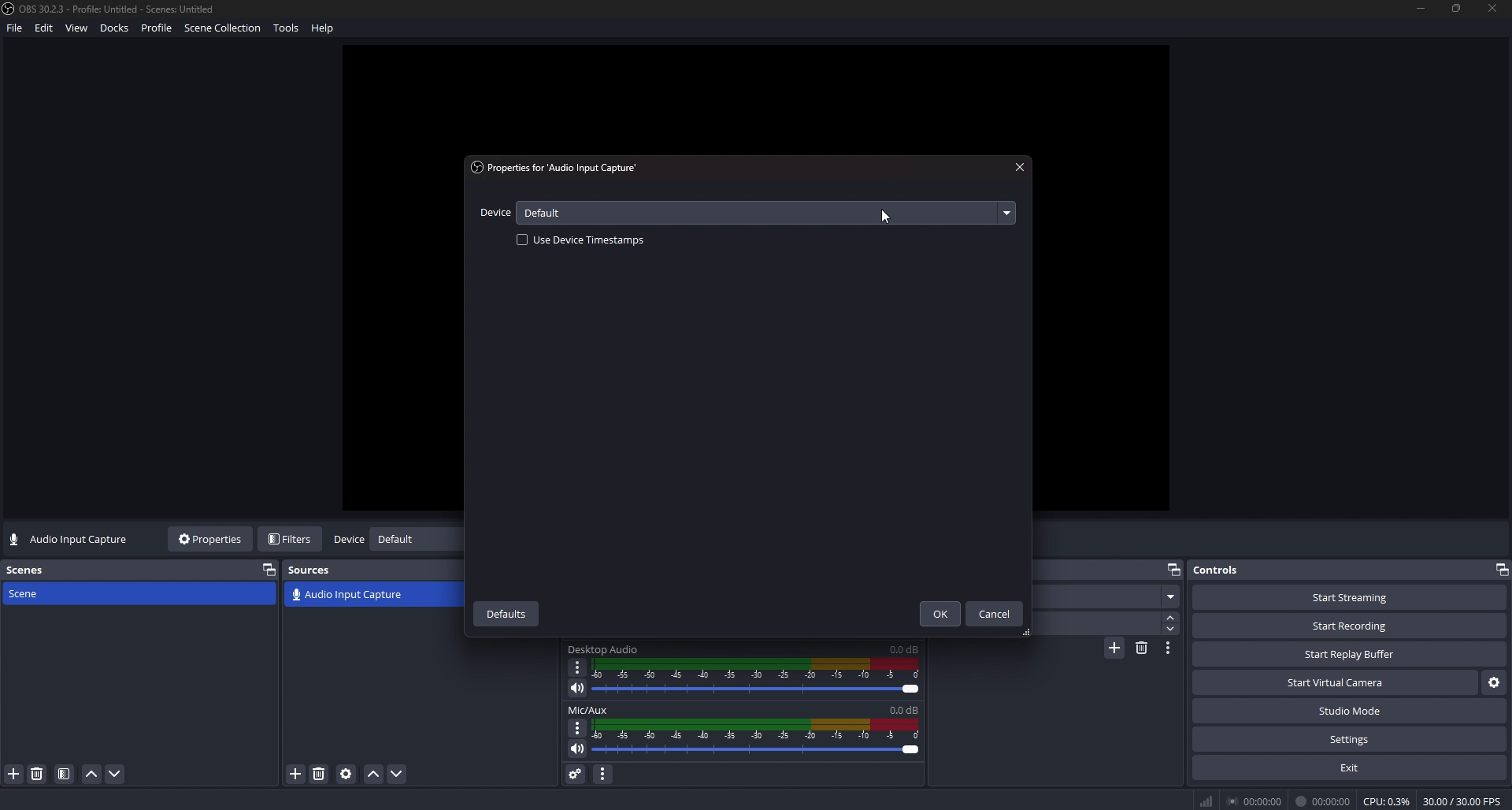 Image resolution: width=1512 pixels, height=810 pixels. I want to click on increase duration, so click(1173, 616).